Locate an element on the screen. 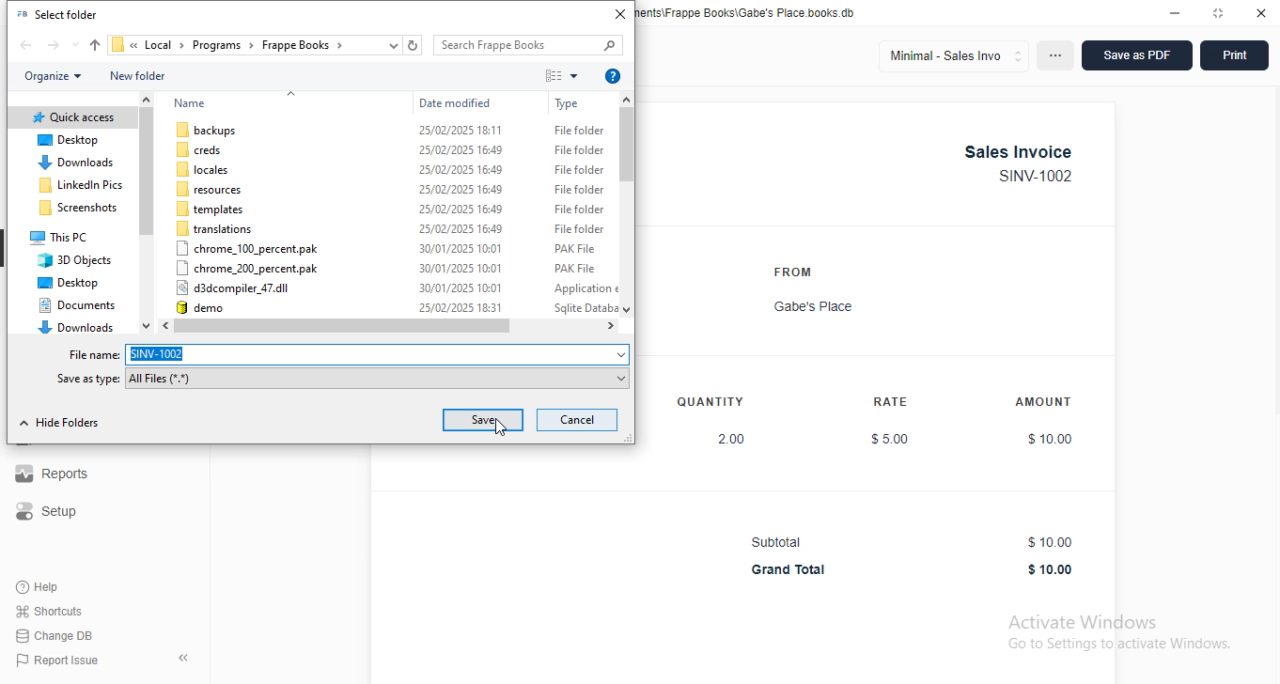 This screenshot has height=684, width=1280. toggle sidebar is located at coordinates (185, 657).